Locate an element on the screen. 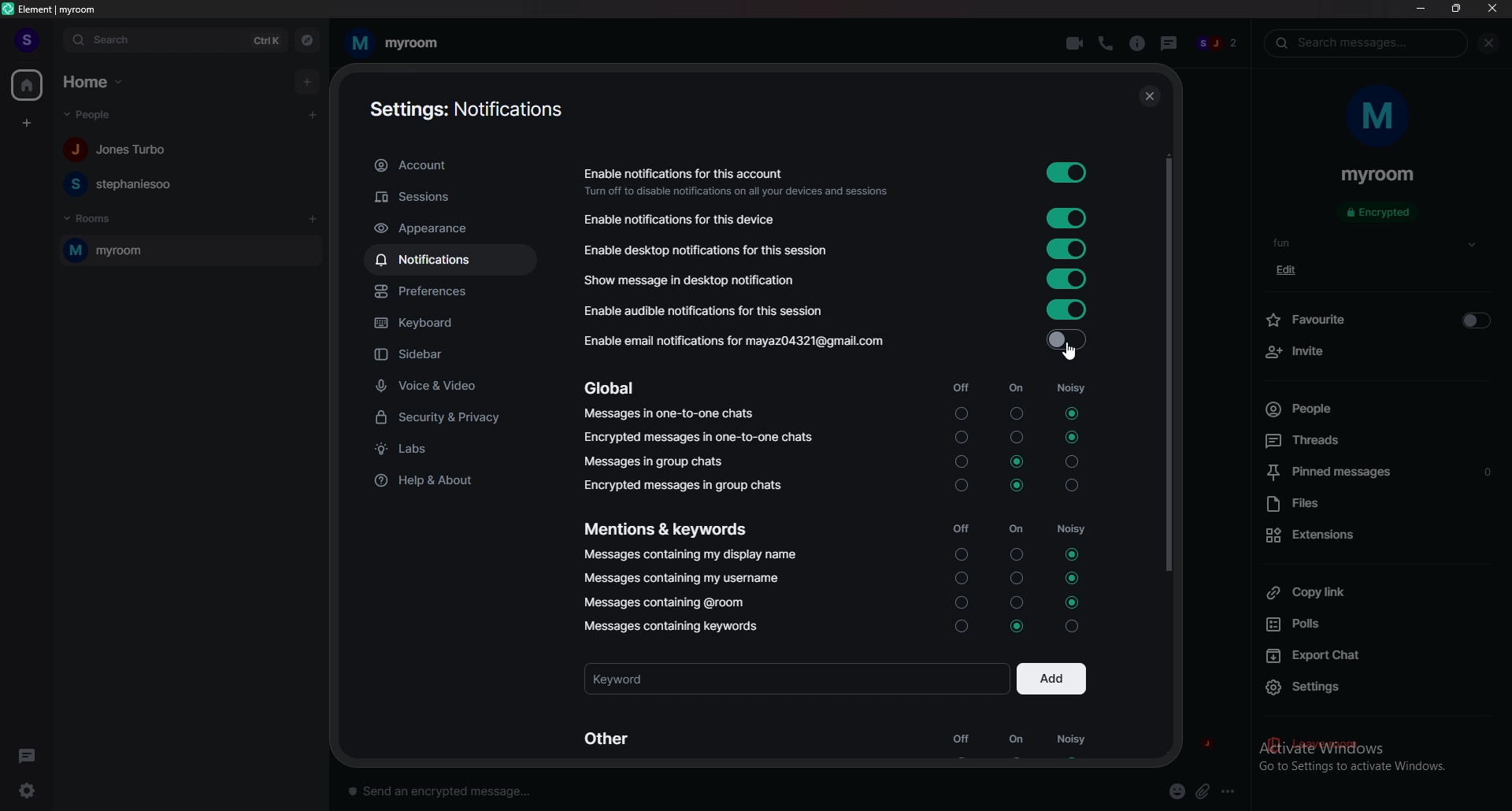  mentions and keywords is located at coordinates (669, 528).